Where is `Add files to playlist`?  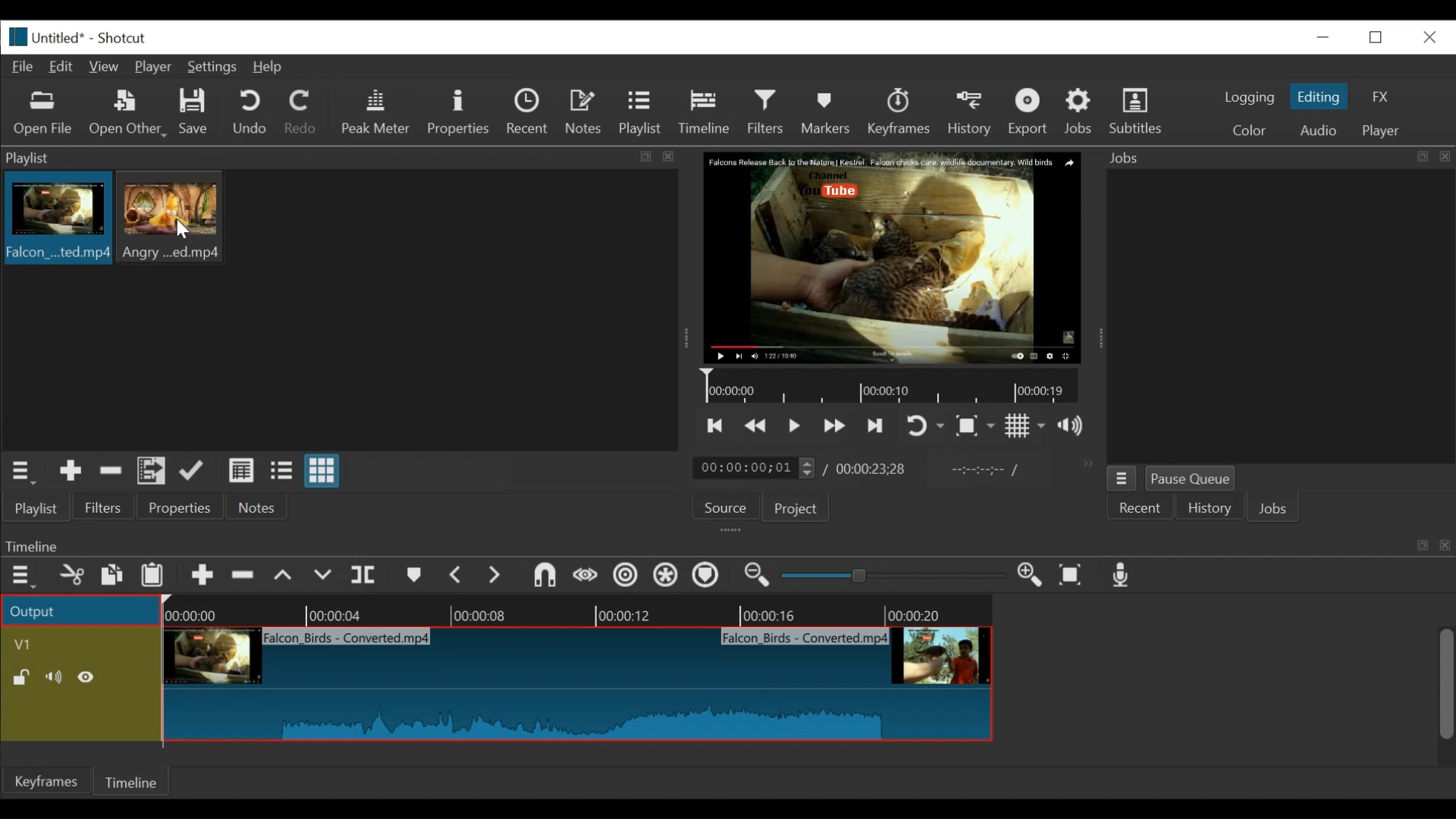 Add files to playlist is located at coordinates (152, 473).